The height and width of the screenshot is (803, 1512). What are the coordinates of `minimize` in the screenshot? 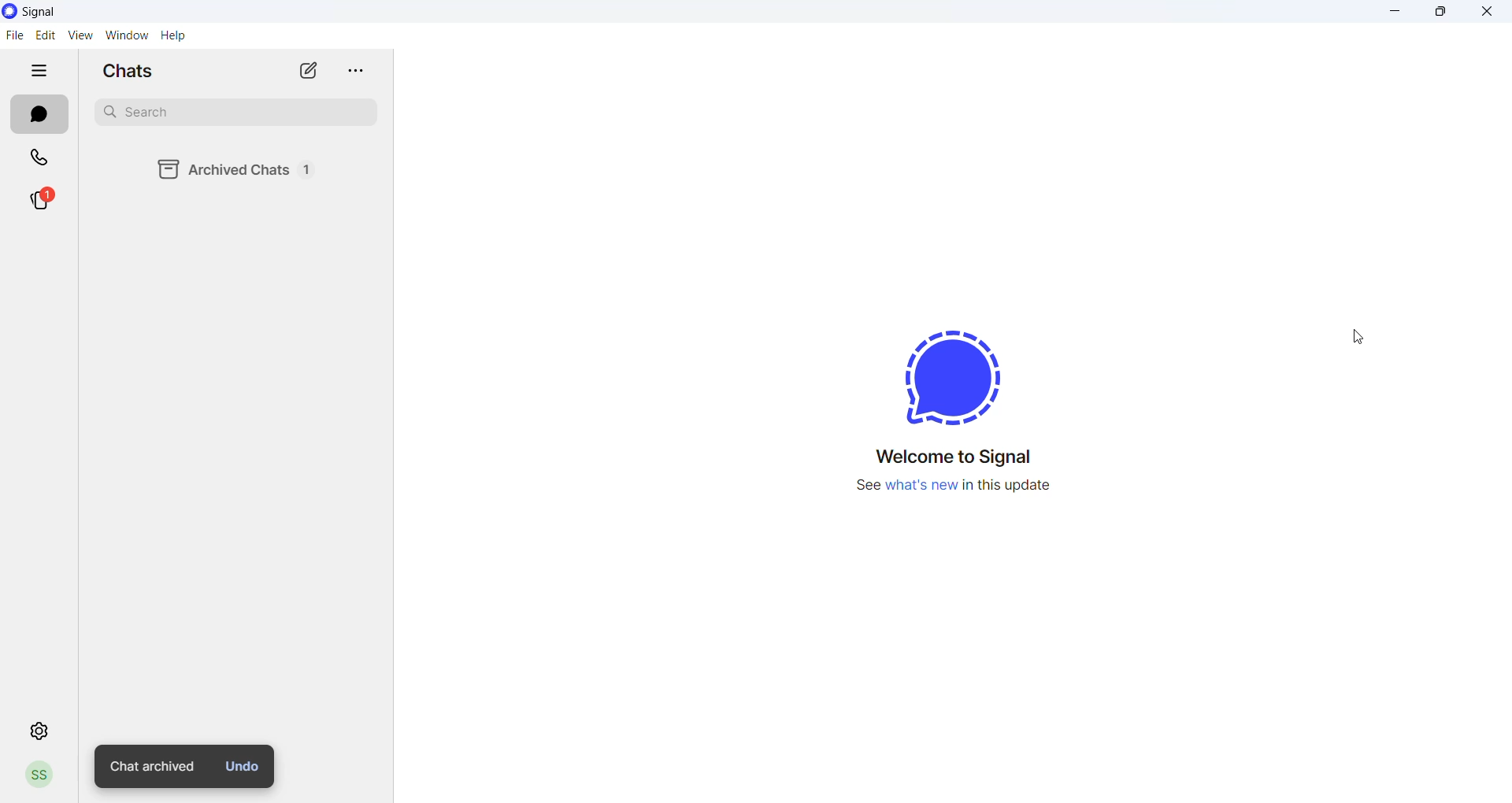 It's located at (1393, 11).